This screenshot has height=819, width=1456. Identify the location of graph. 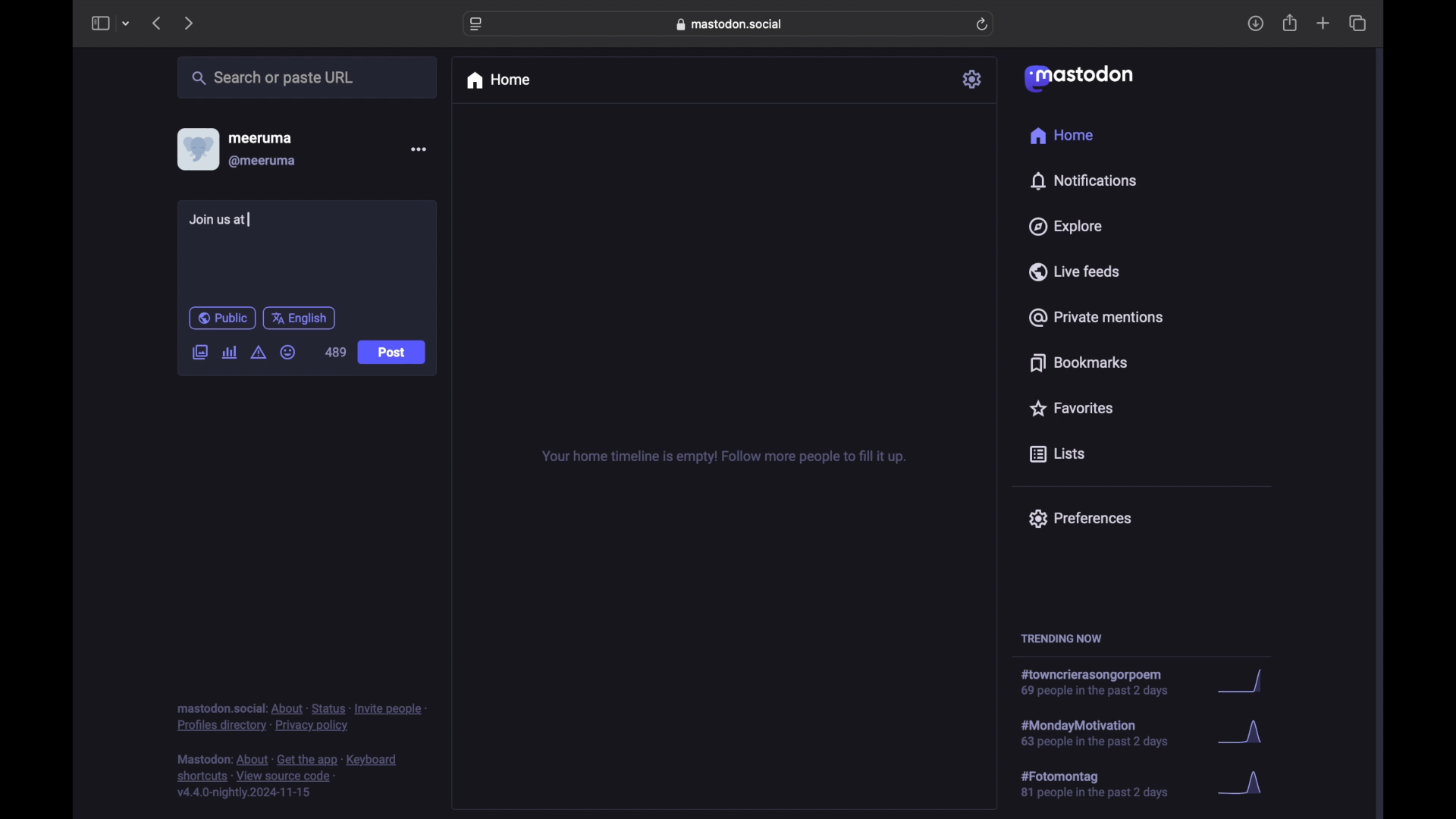
(1244, 736).